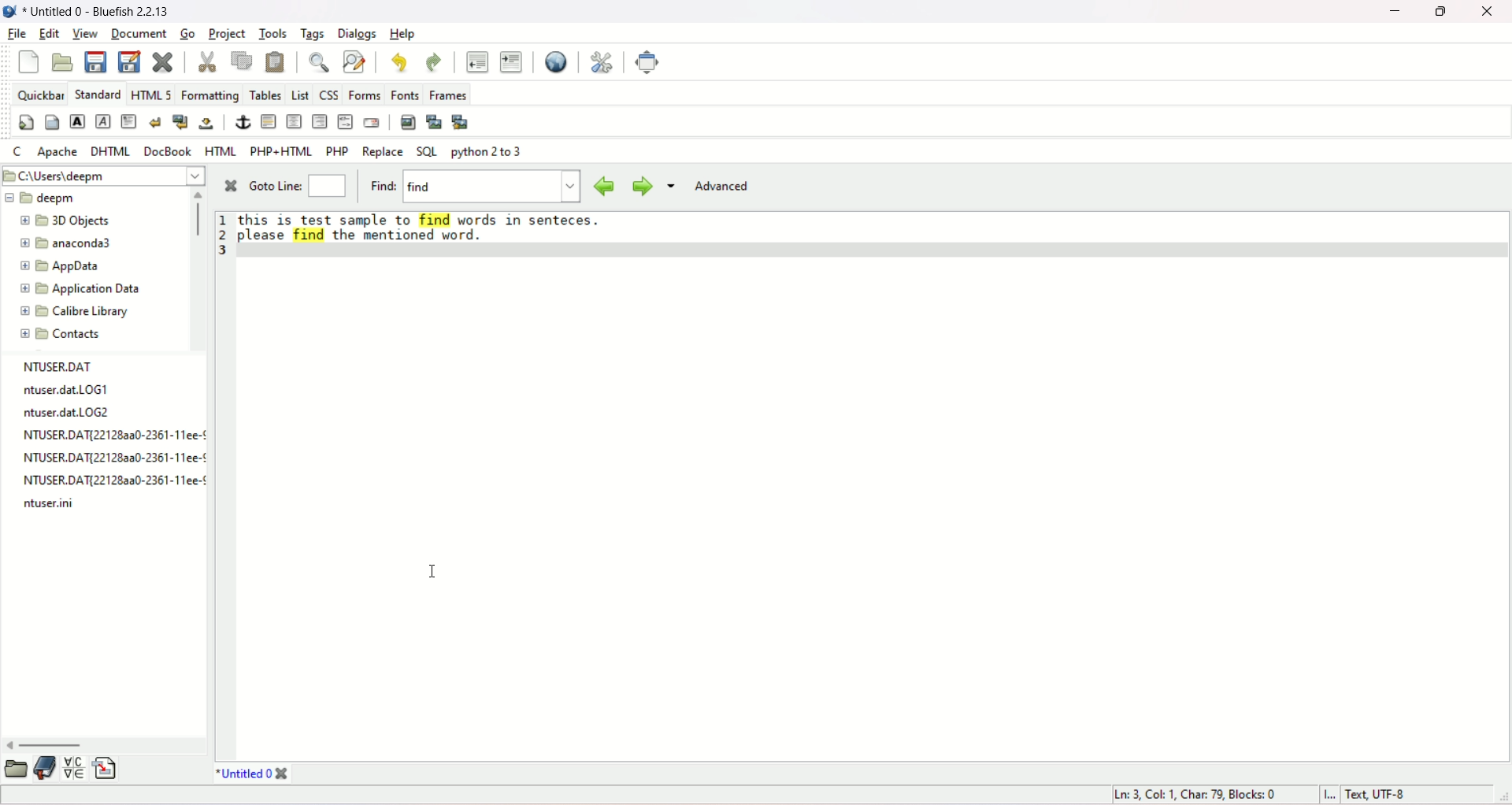  What do you see at coordinates (29, 61) in the screenshot?
I see `new` at bounding box center [29, 61].